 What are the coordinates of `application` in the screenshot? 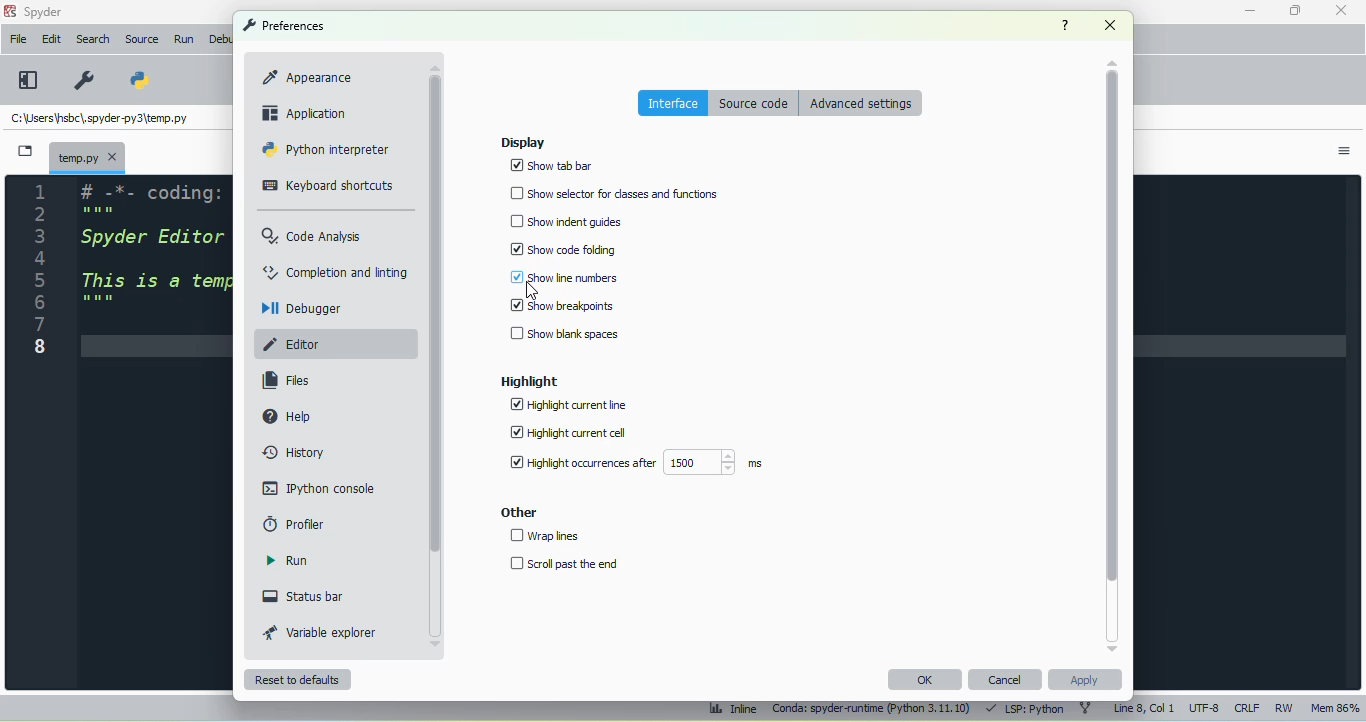 It's located at (307, 112).